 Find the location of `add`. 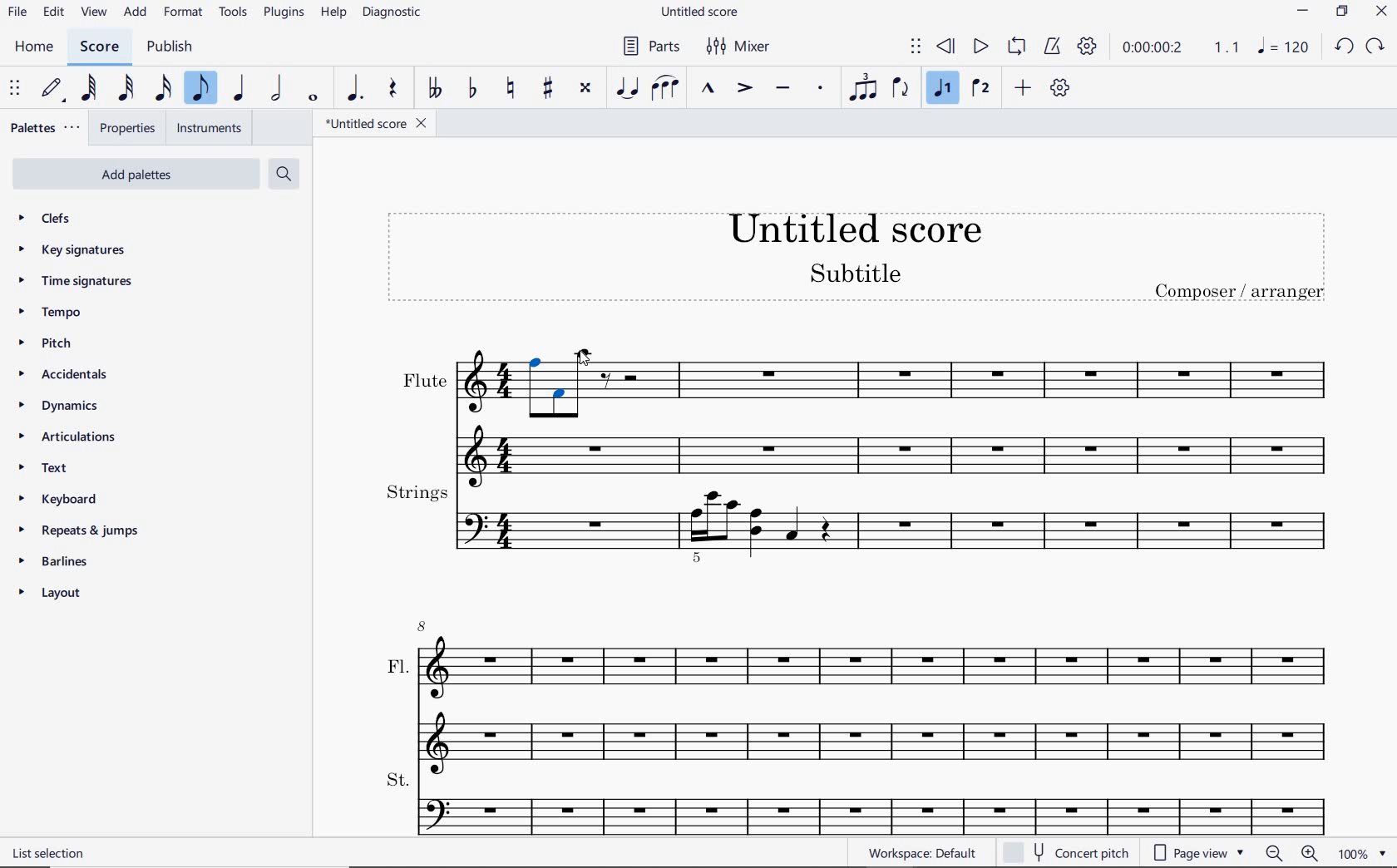

add is located at coordinates (136, 13).